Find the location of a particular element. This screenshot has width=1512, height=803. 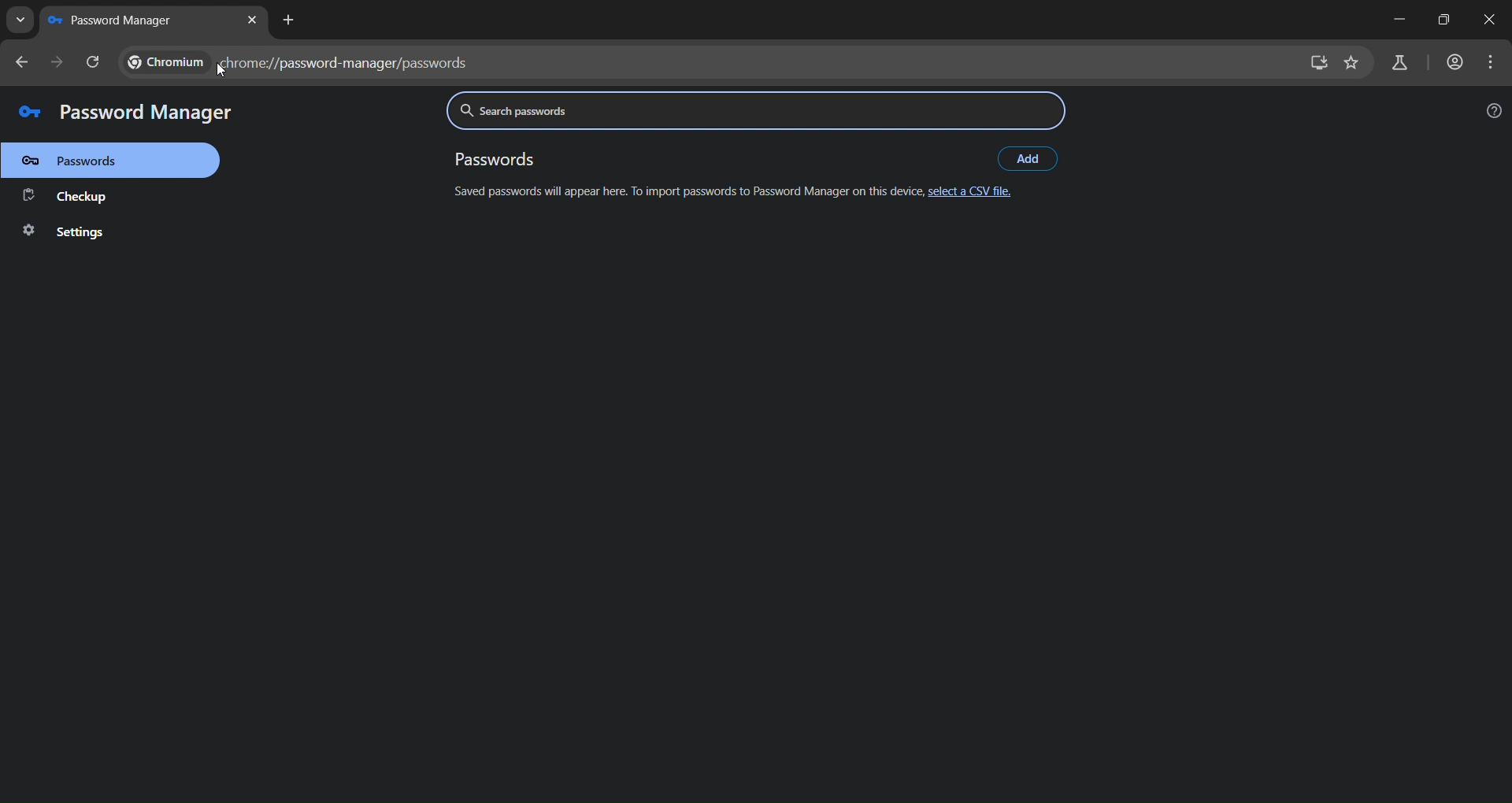

restore down is located at coordinates (1440, 19).